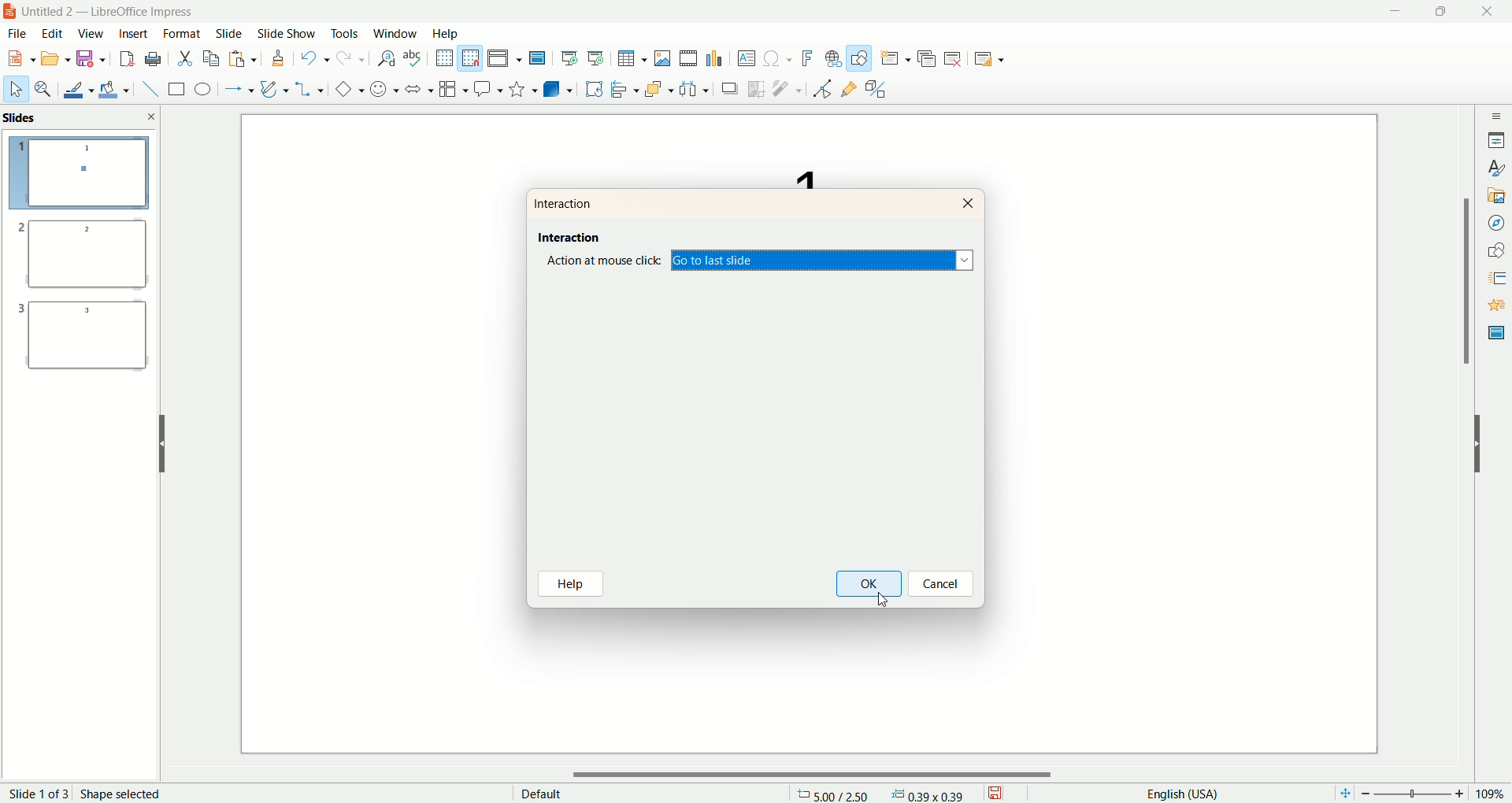 This screenshot has width=1512, height=803. I want to click on insert audio or video, so click(688, 58).